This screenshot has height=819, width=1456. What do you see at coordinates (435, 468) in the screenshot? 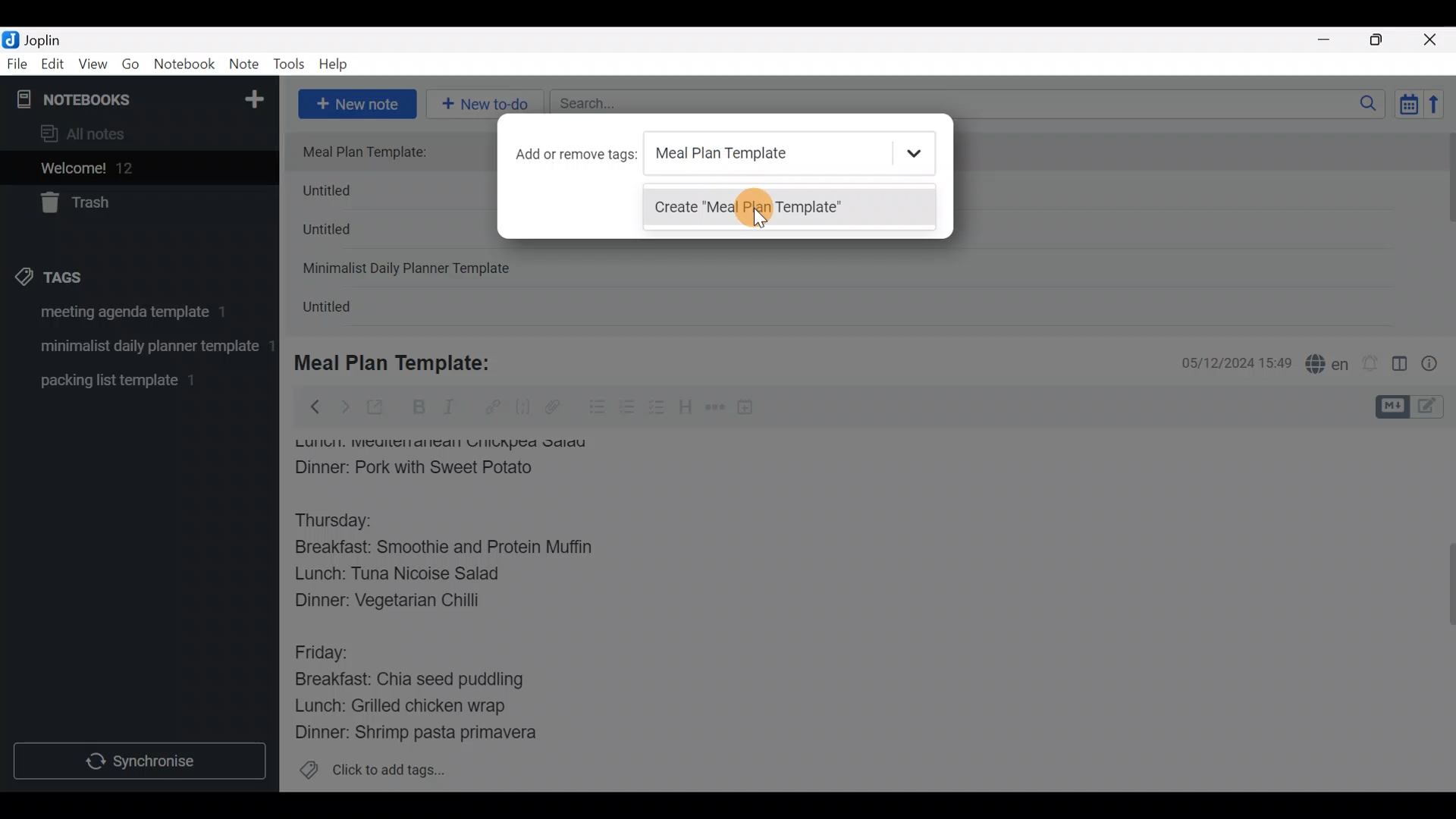
I see `Dinner: Pork with Sweet Potato` at bounding box center [435, 468].